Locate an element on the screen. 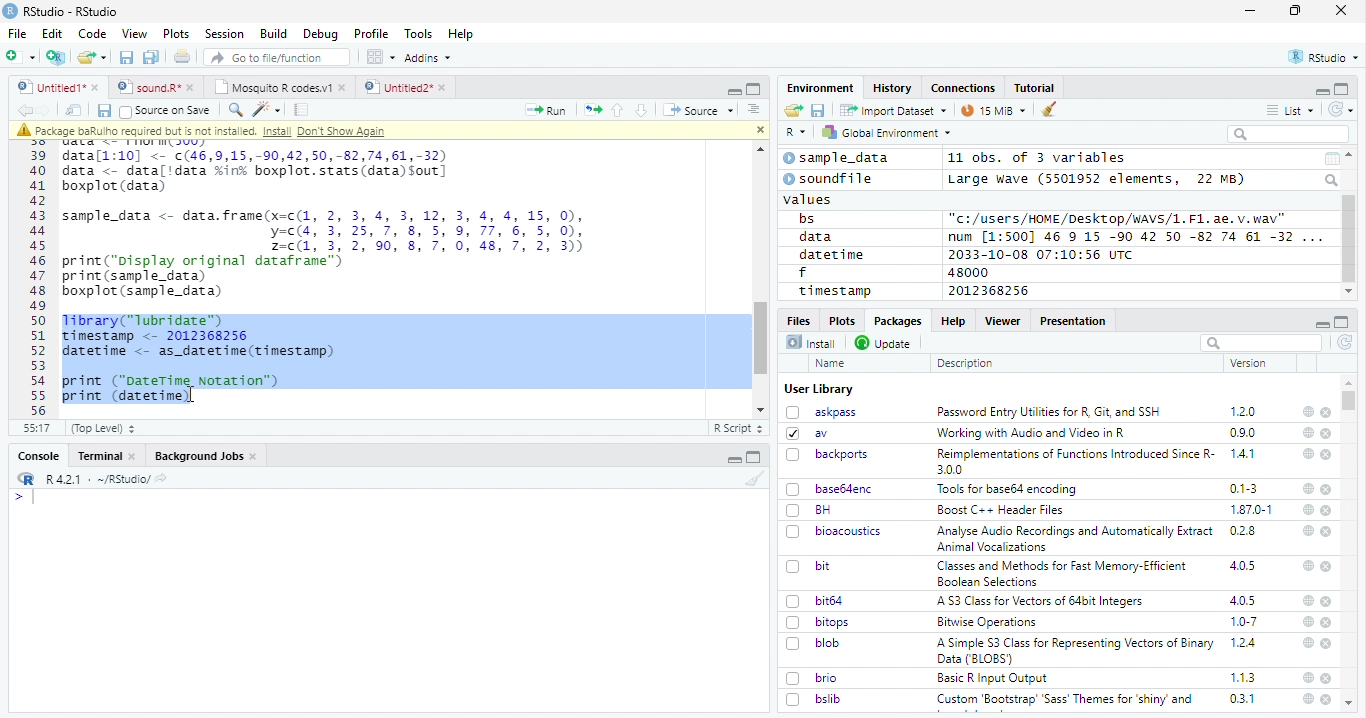 Image resolution: width=1366 pixels, height=718 pixels. base64enc is located at coordinates (830, 488).